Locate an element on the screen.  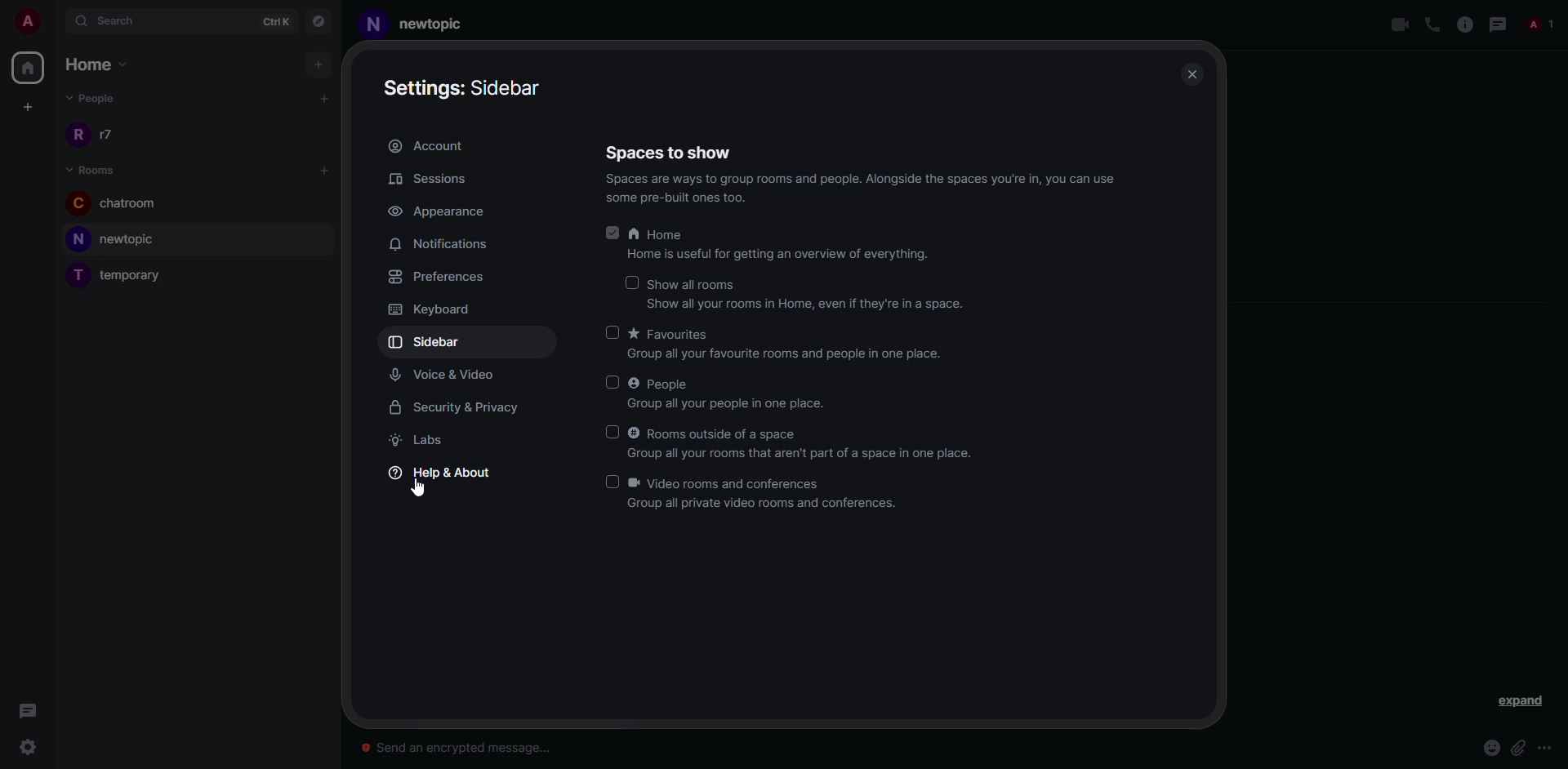
help is located at coordinates (441, 473).